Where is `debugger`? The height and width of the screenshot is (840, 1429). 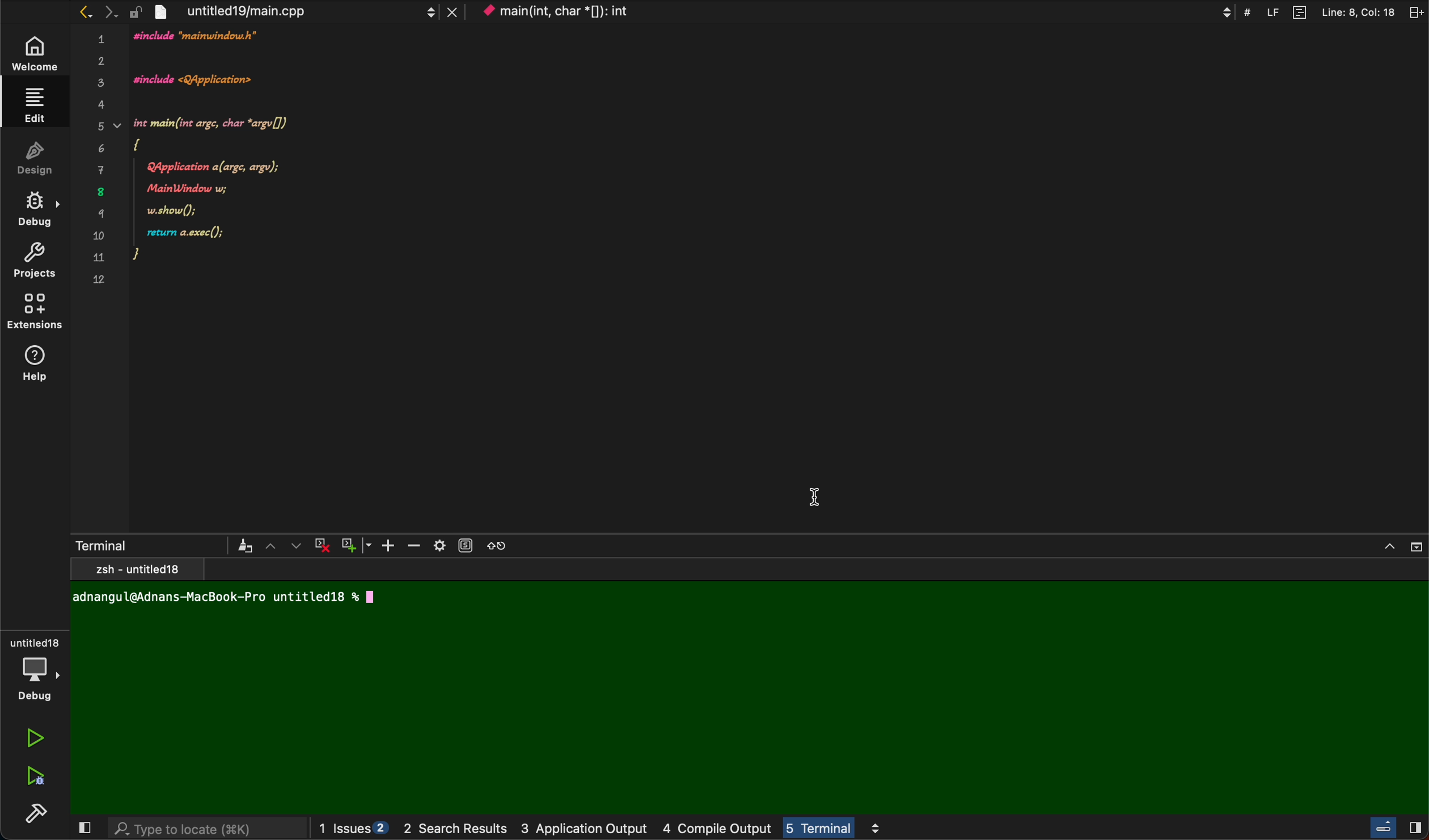
debugger is located at coordinates (34, 667).